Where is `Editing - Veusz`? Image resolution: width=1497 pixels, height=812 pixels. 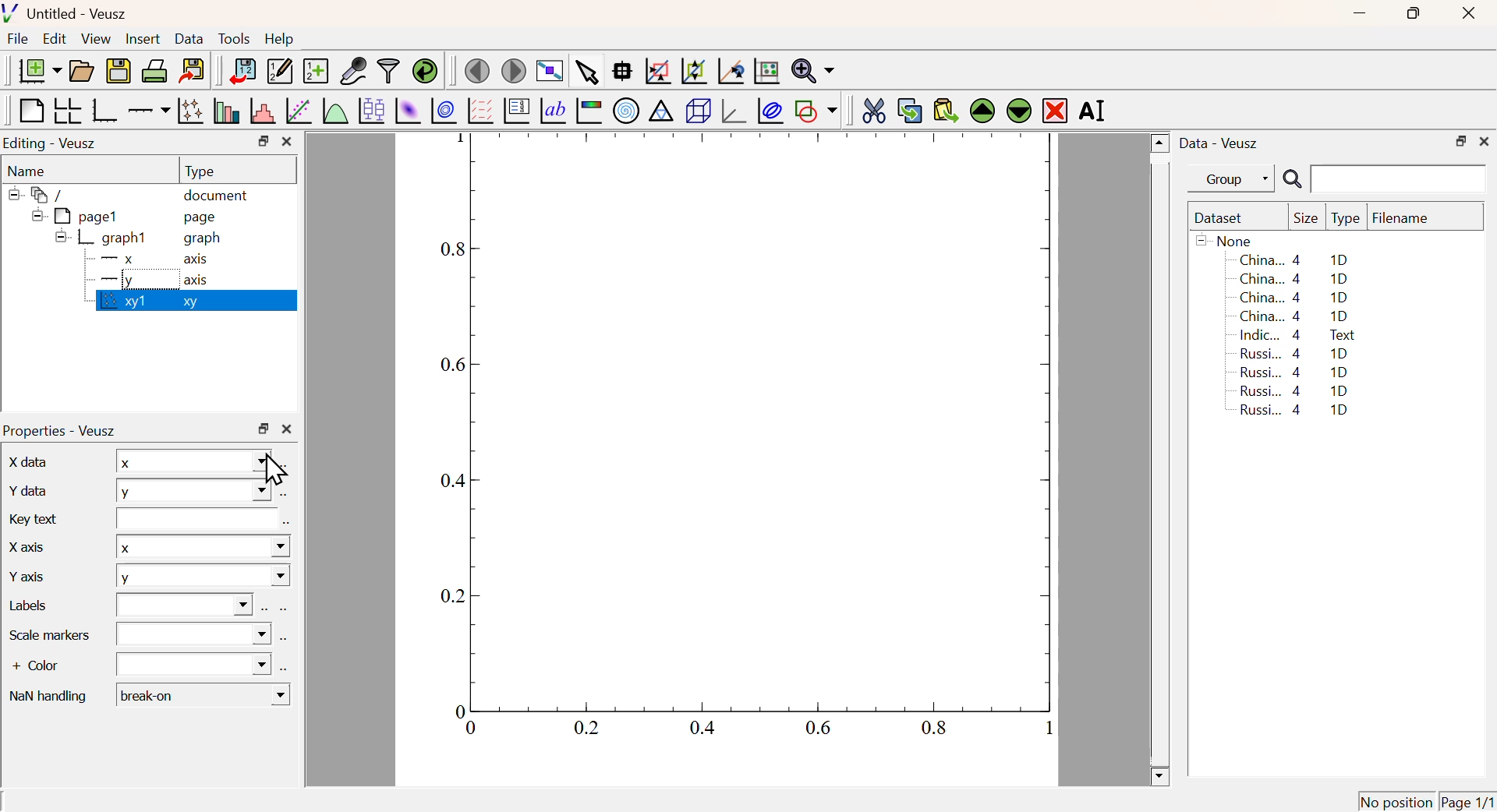
Editing - Veusz is located at coordinates (52, 144).